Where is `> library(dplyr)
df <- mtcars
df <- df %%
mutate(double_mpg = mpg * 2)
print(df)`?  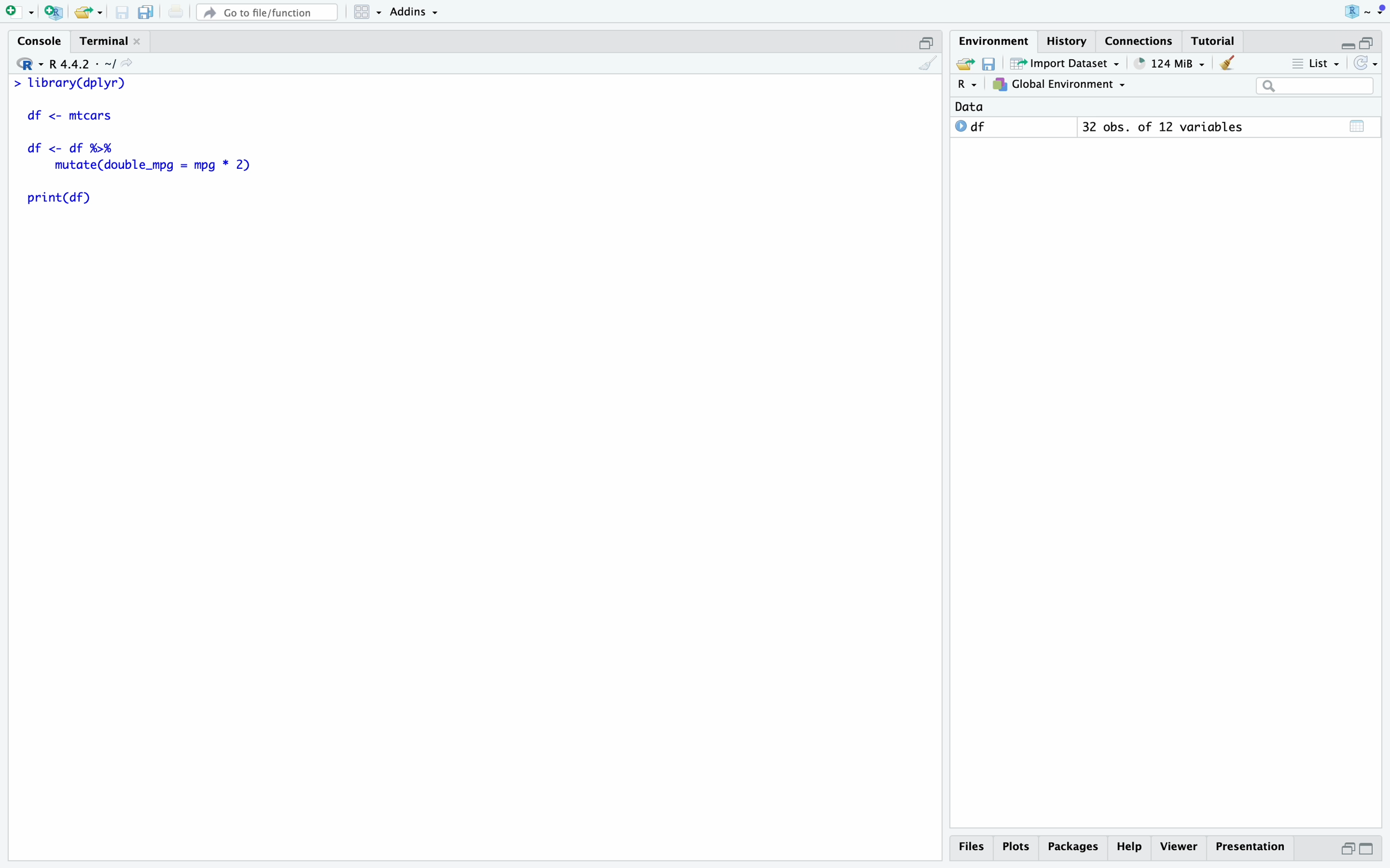
> library(dplyr)
df <- mtcars
df <- df %%
mutate(double_mpg = mpg * 2)
print(df) is located at coordinates (136, 148).